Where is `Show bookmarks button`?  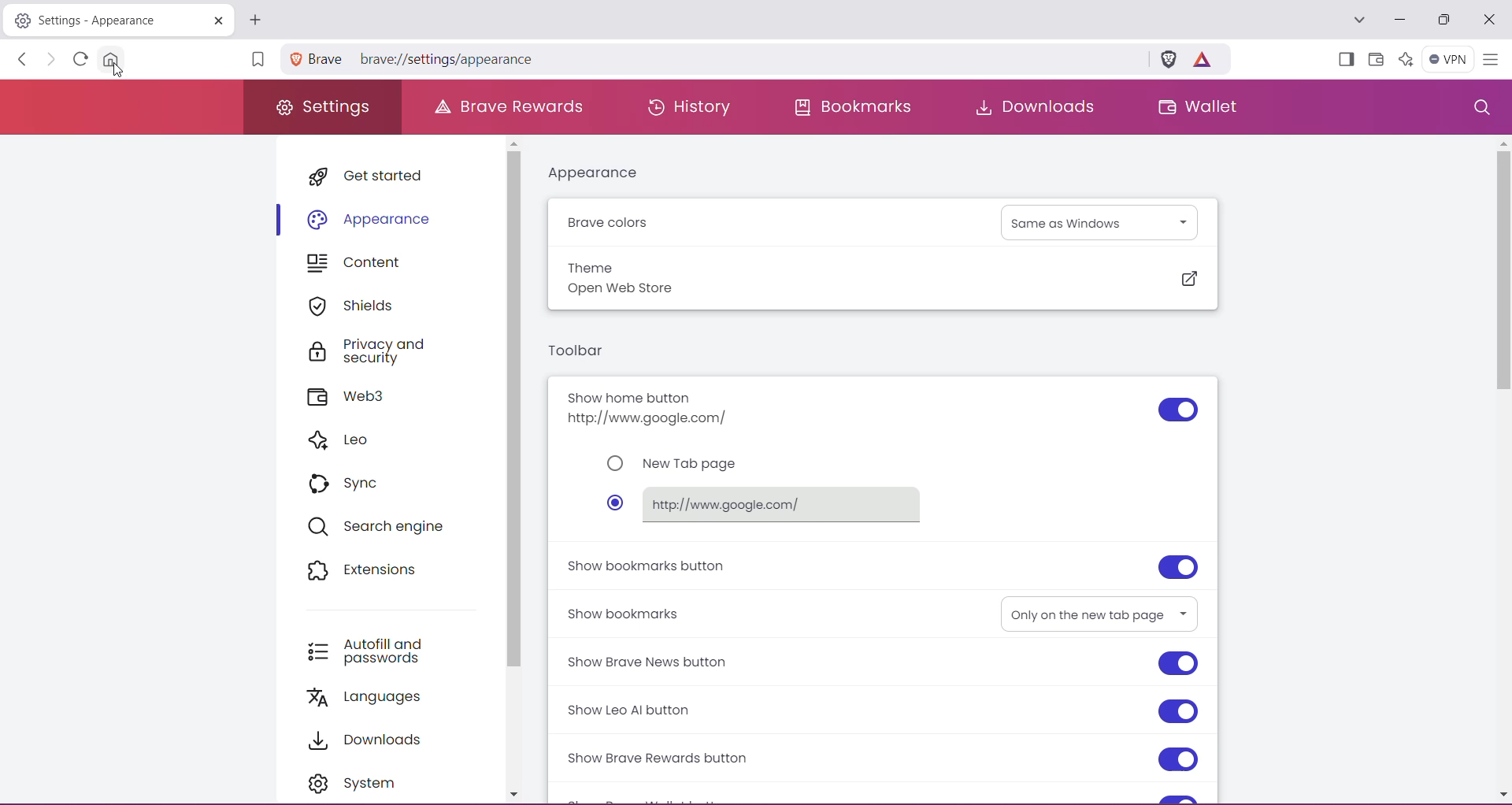 Show bookmarks button is located at coordinates (648, 566).